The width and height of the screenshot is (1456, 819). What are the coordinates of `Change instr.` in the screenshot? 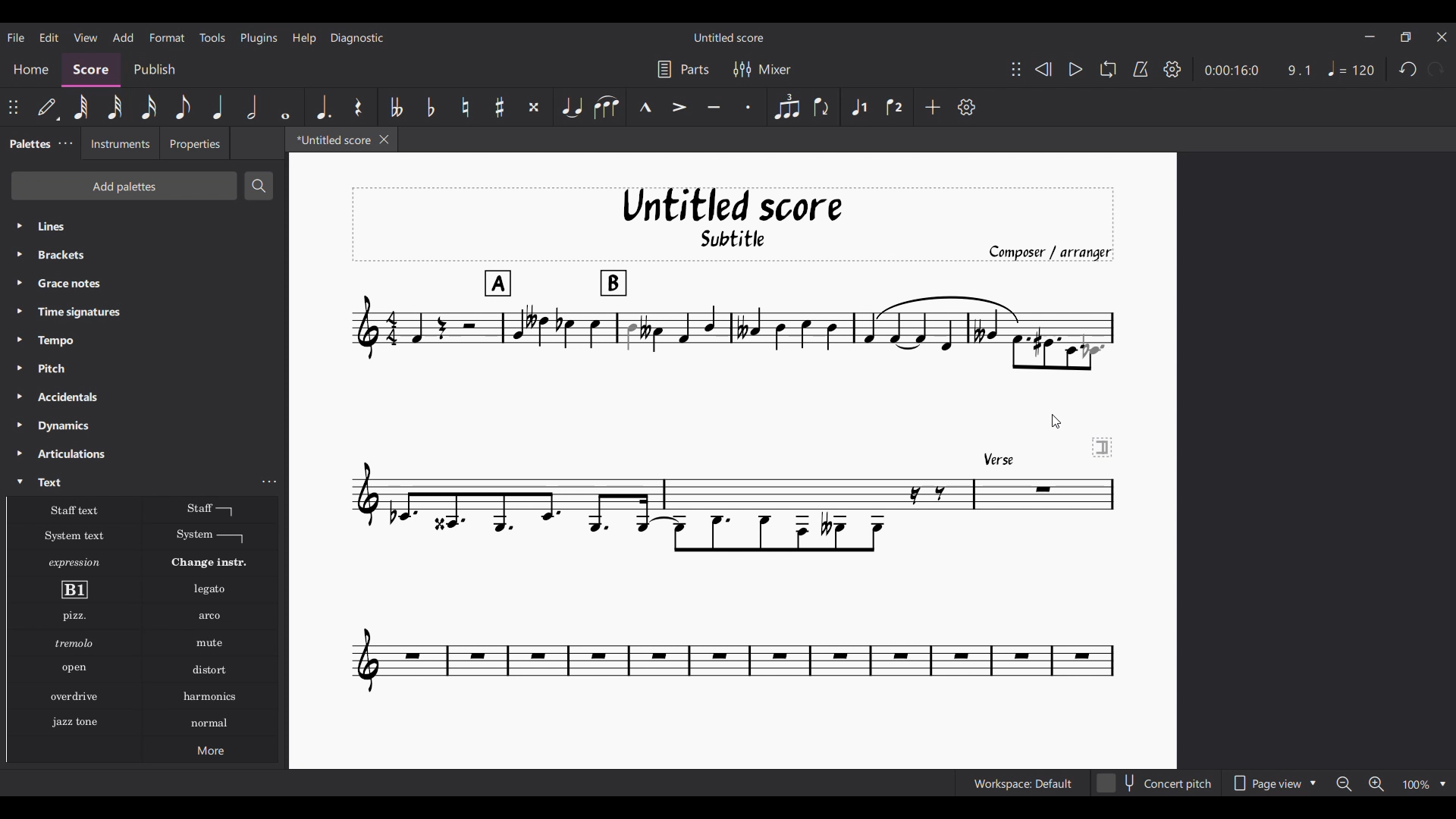 It's located at (209, 563).